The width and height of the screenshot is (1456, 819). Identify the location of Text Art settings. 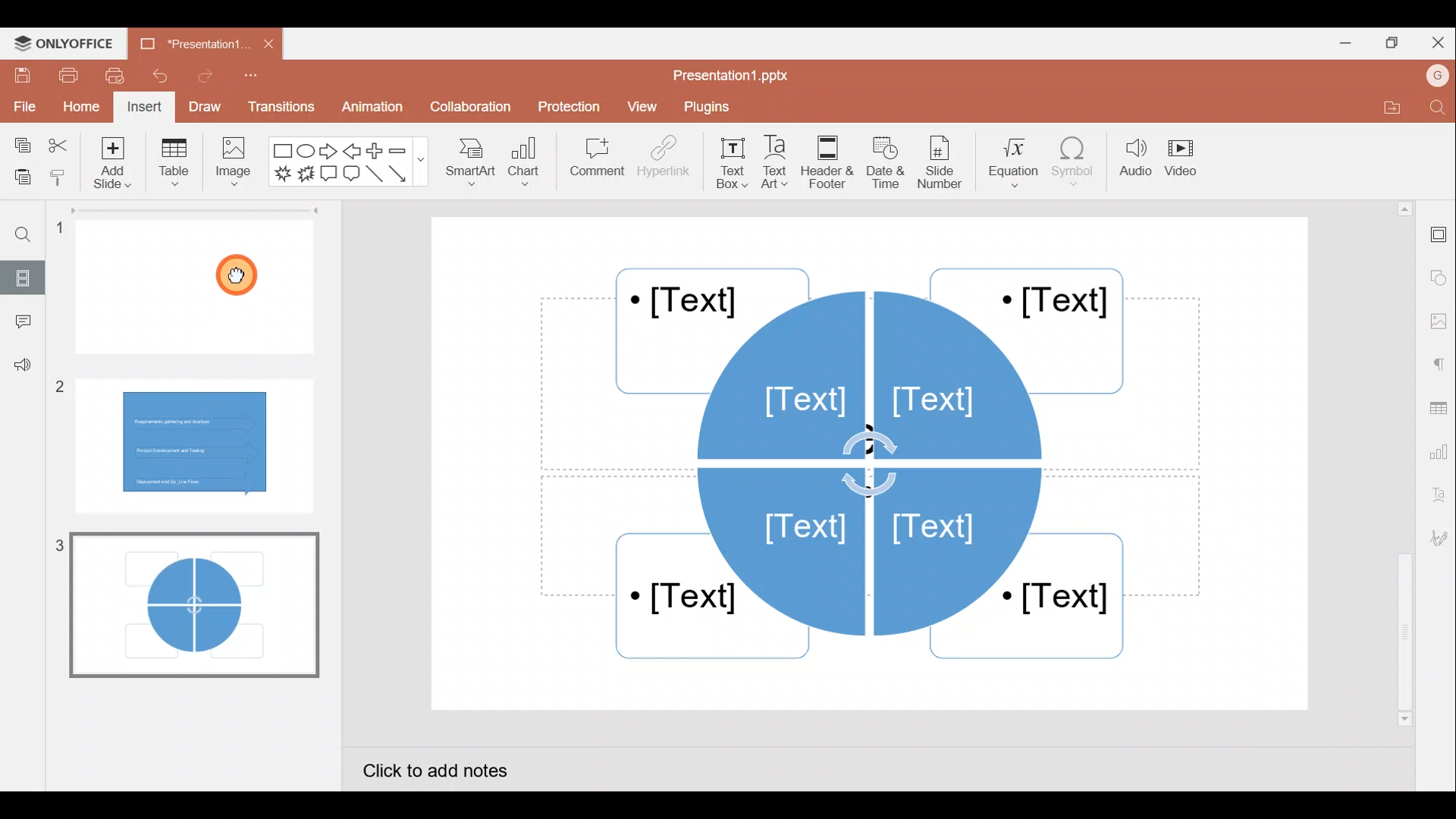
(1437, 500).